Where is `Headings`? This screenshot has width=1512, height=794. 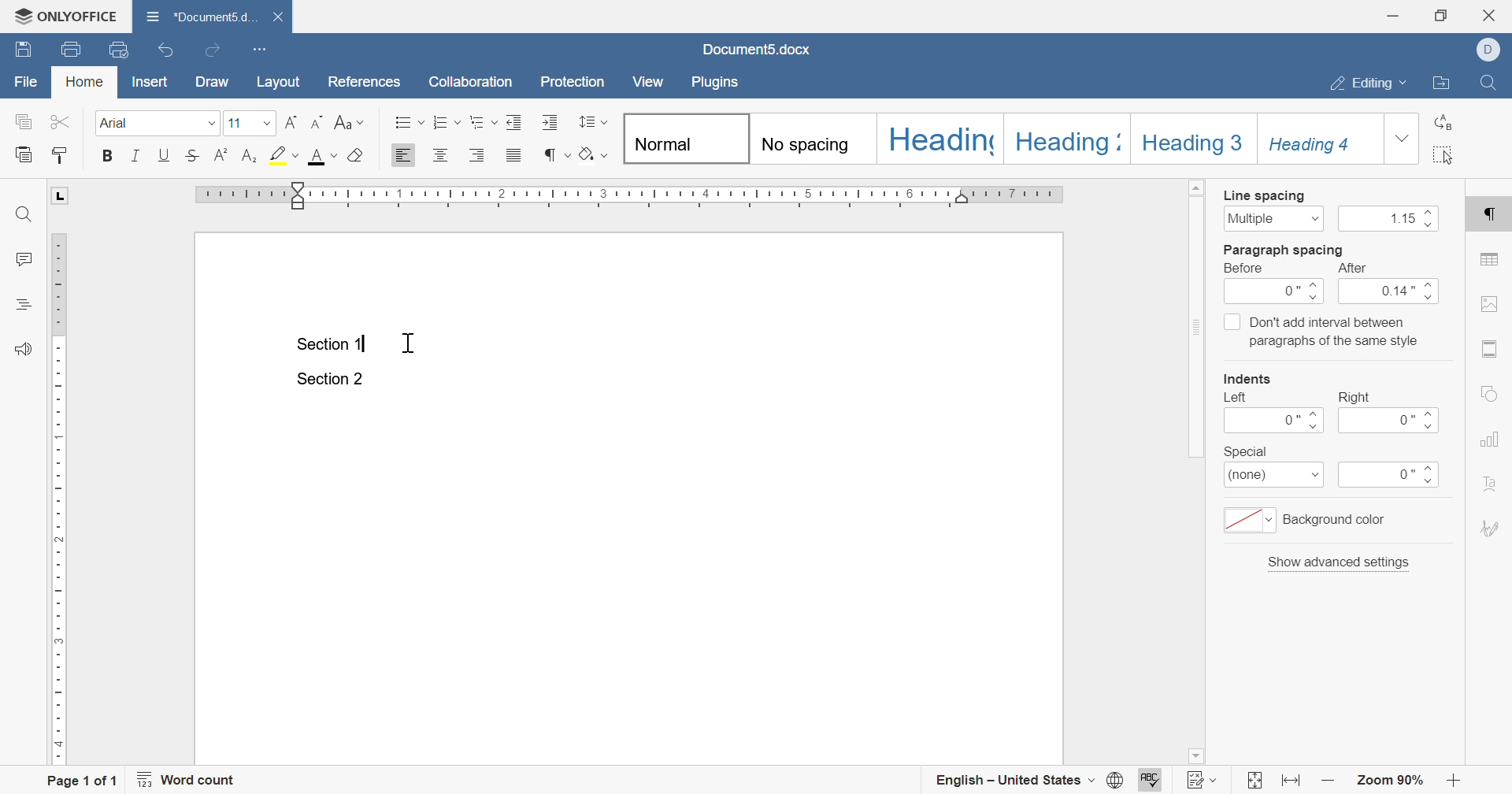
Headings is located at coordinates (1002, 138).